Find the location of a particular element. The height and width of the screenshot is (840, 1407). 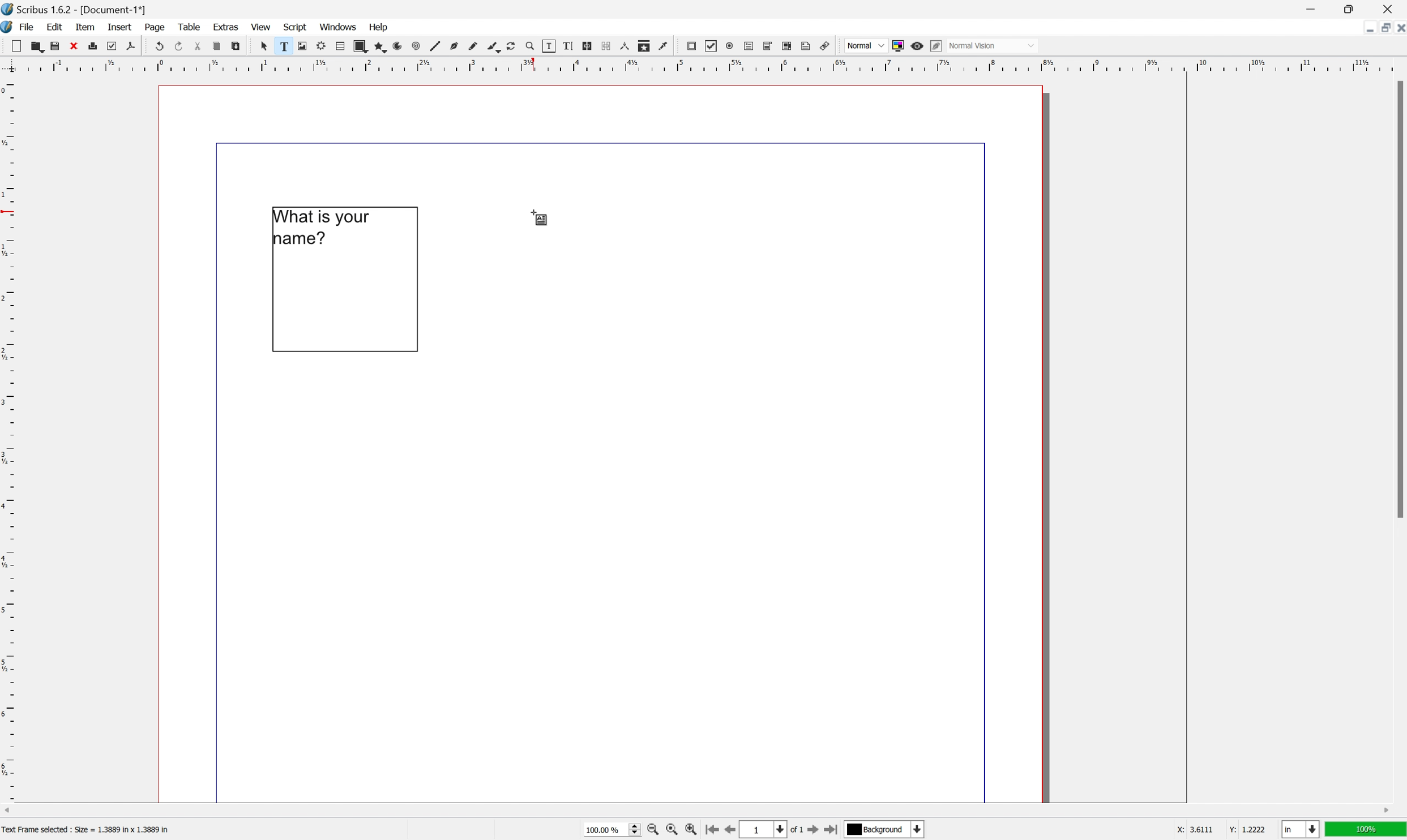

What is your name? is located at coordinates (328, 230).